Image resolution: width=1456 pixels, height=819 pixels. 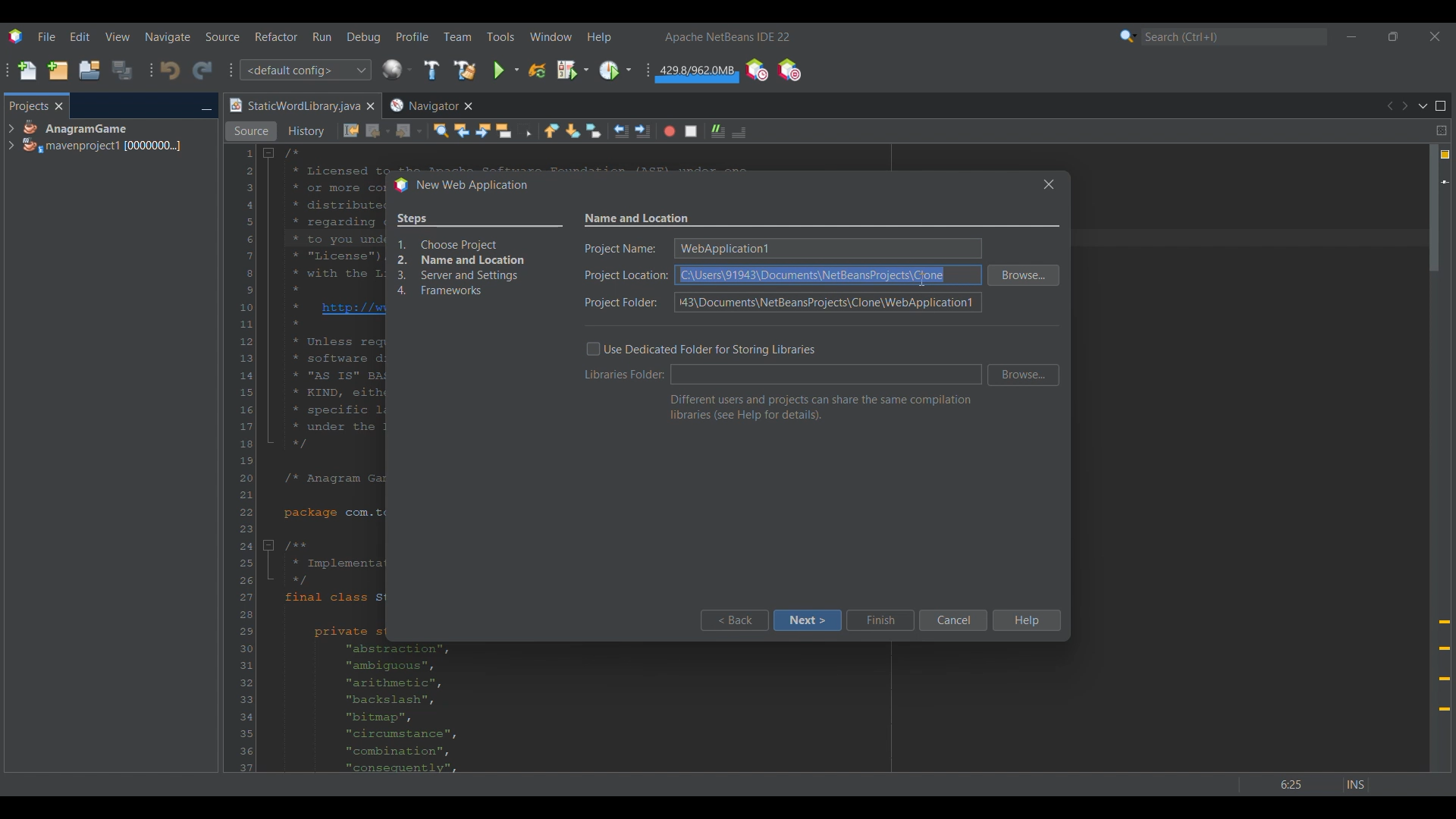 What do you see at coordinates (122, 70) in the screenshot?
I see `Save all` at bounding box center [122, 70].